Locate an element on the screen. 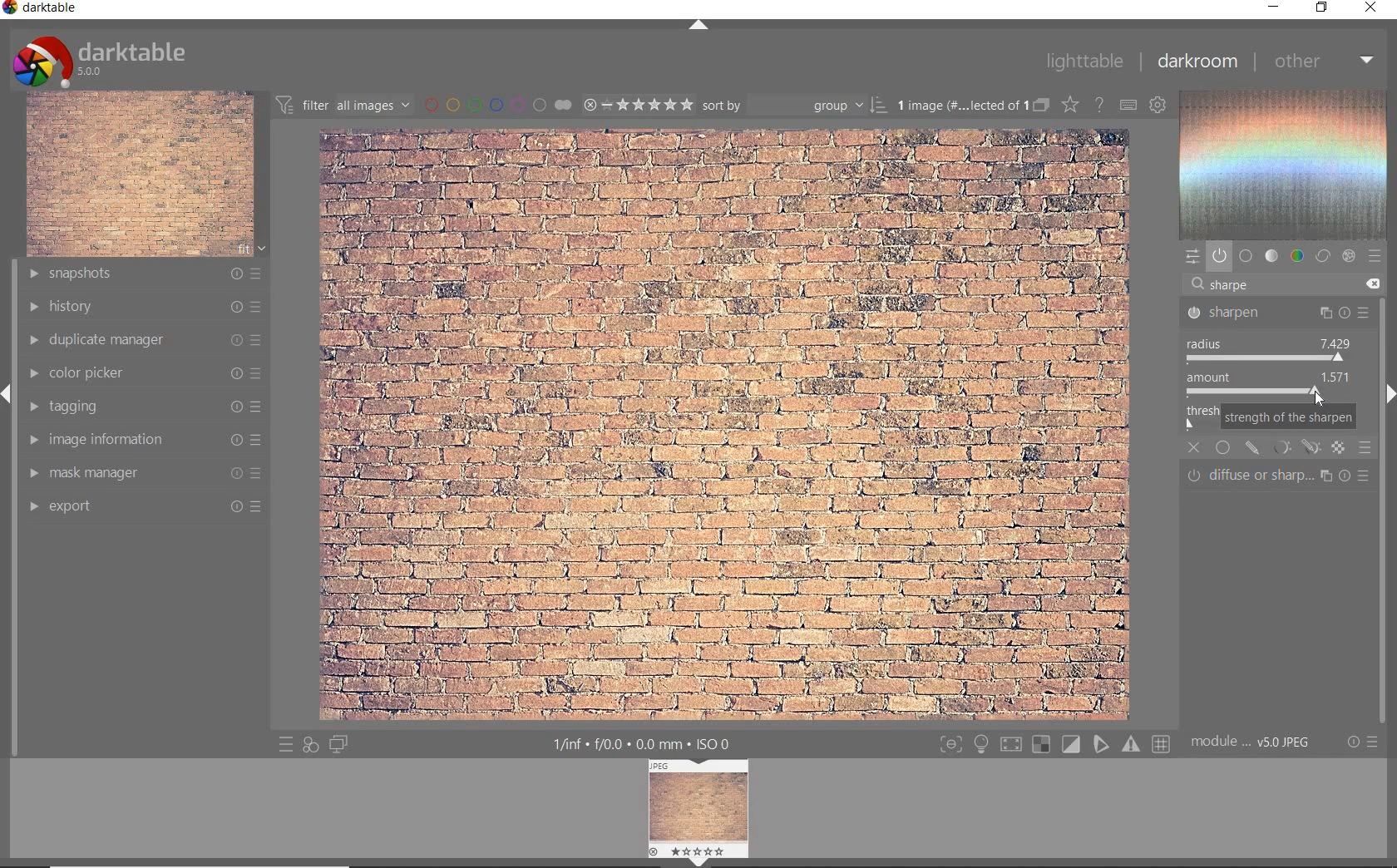 The image size is (1397, 868). down is located at coordinates (698, 862).